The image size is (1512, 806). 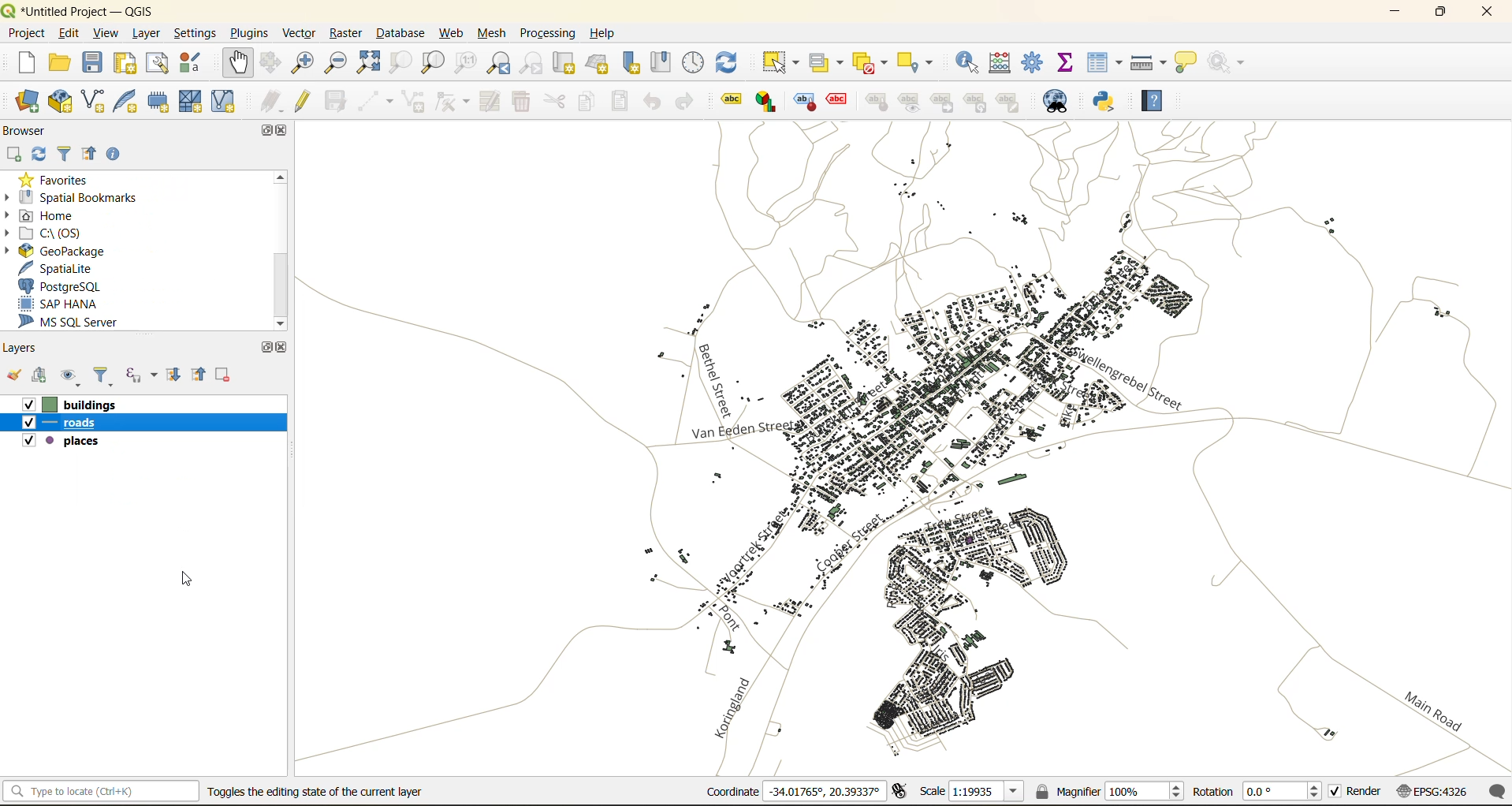 I want to click on edits, so click(x=269, y=103).